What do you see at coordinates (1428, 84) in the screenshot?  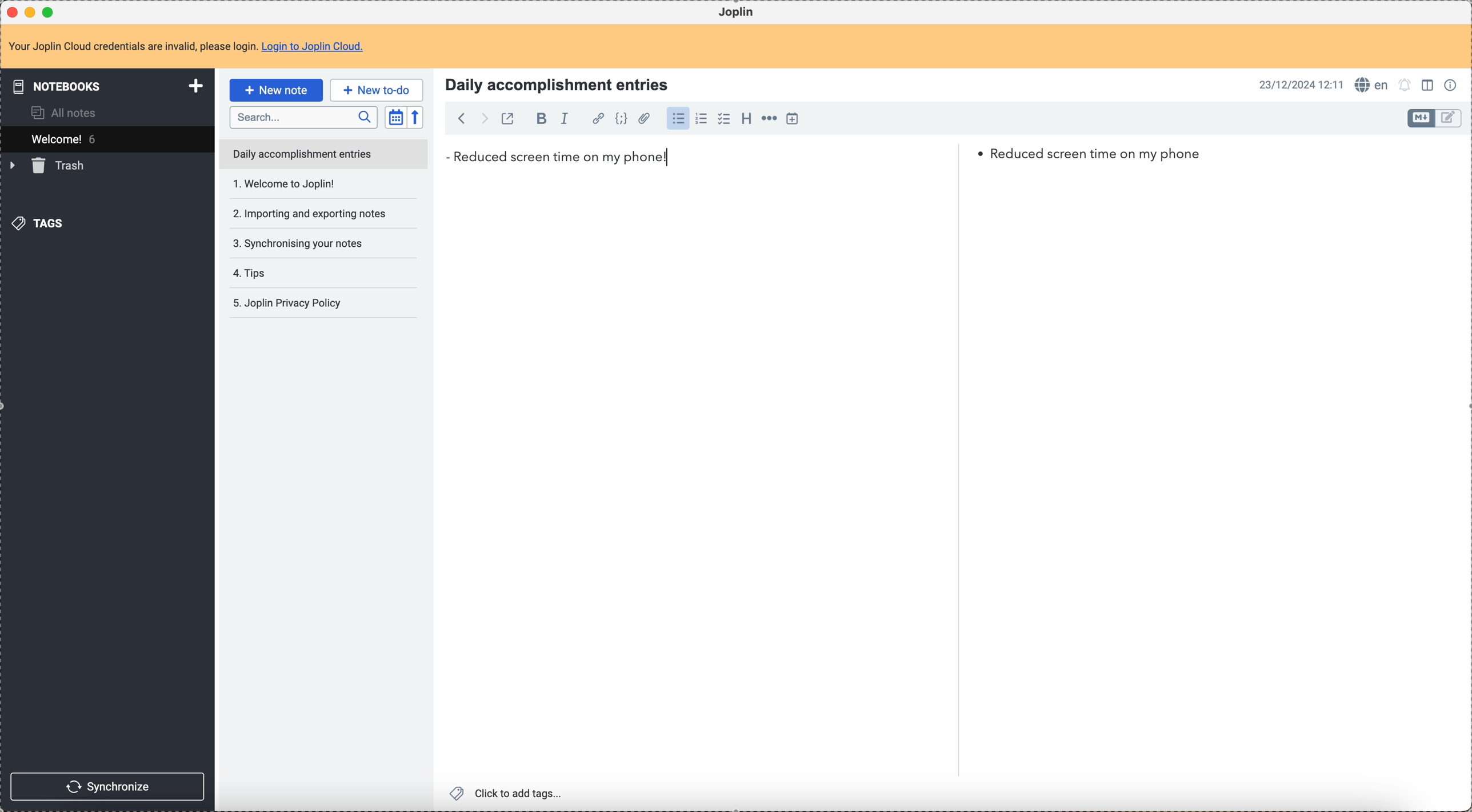 I see `toggle edit layout` at bounding box center [1428, 84].